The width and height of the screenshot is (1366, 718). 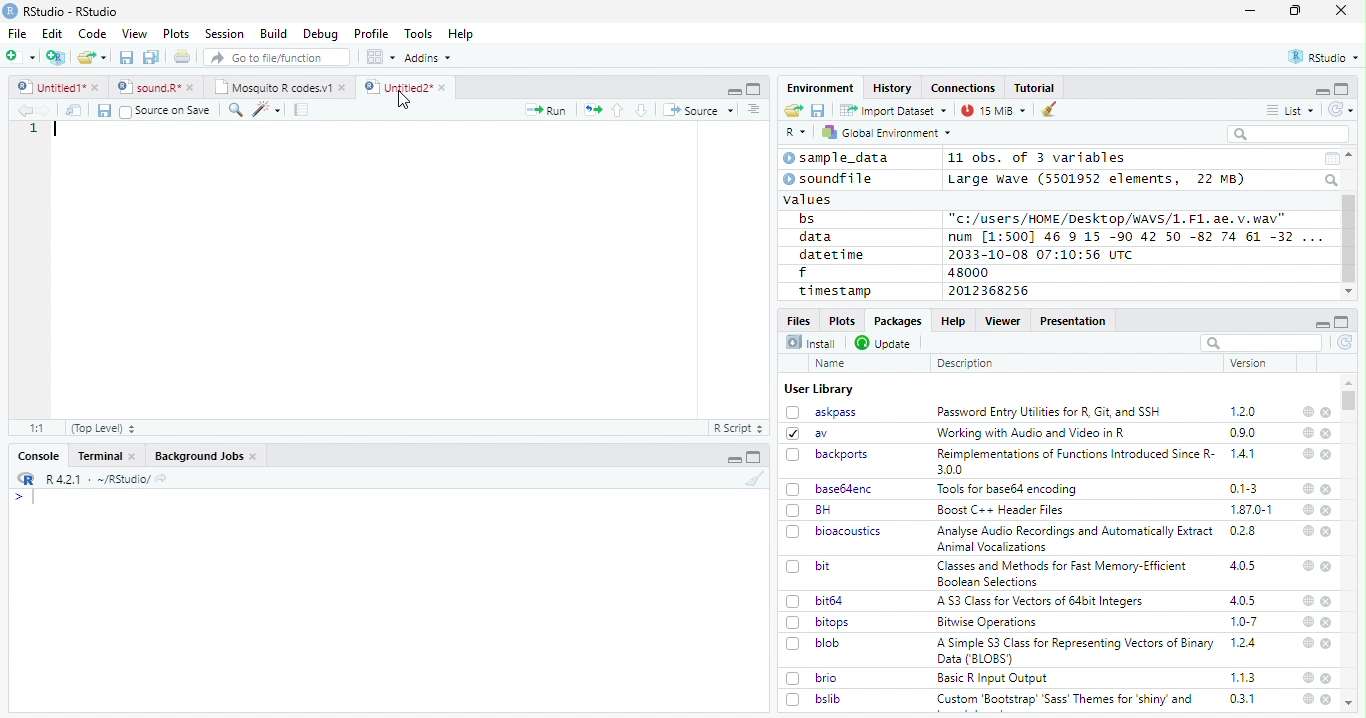 I want to click on data, so click(x=819, y=237).